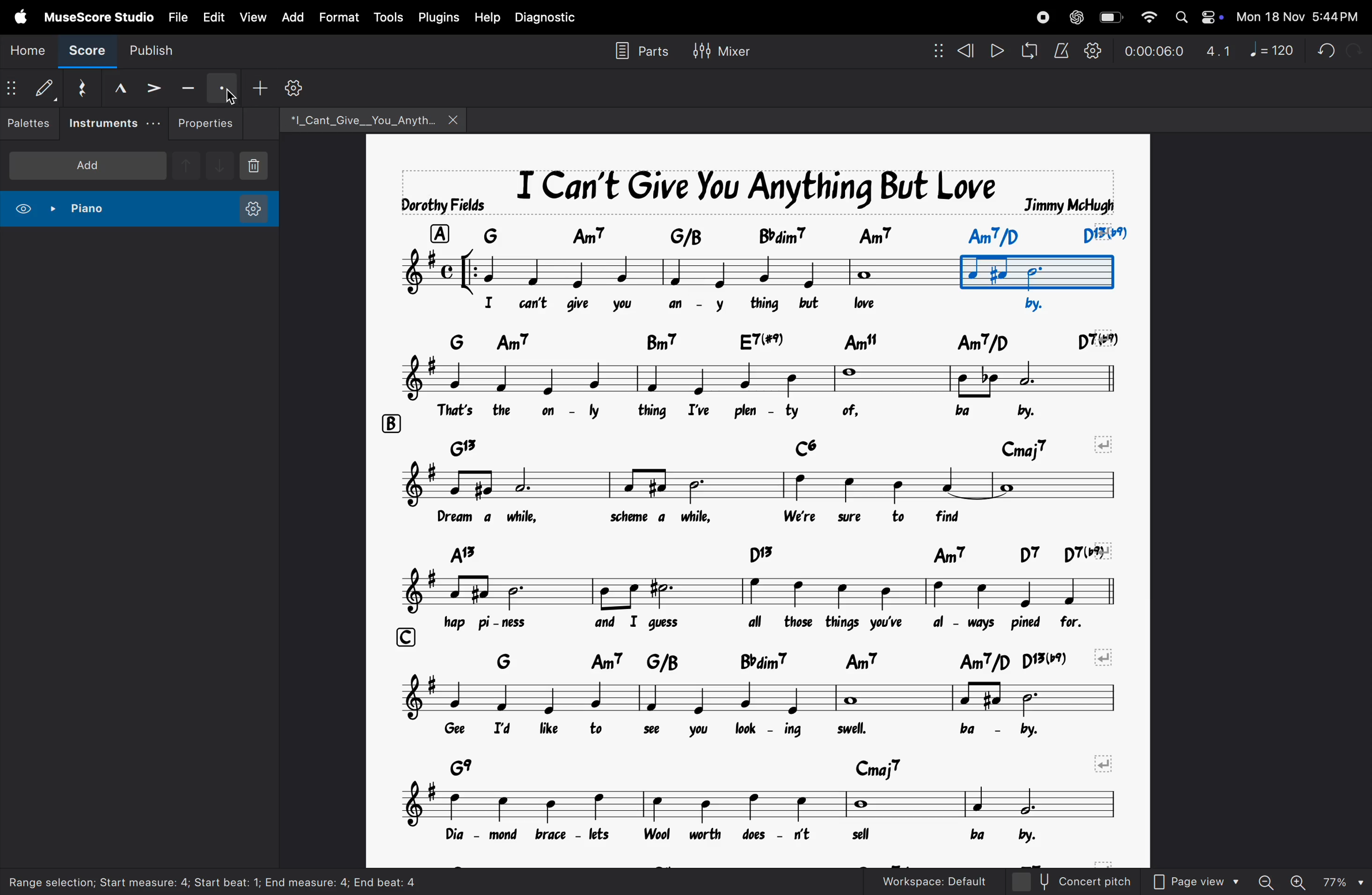  What do you see at coordinates (253, 167) in the screenshot?
I see `delete` at bounding box center [253, 167].